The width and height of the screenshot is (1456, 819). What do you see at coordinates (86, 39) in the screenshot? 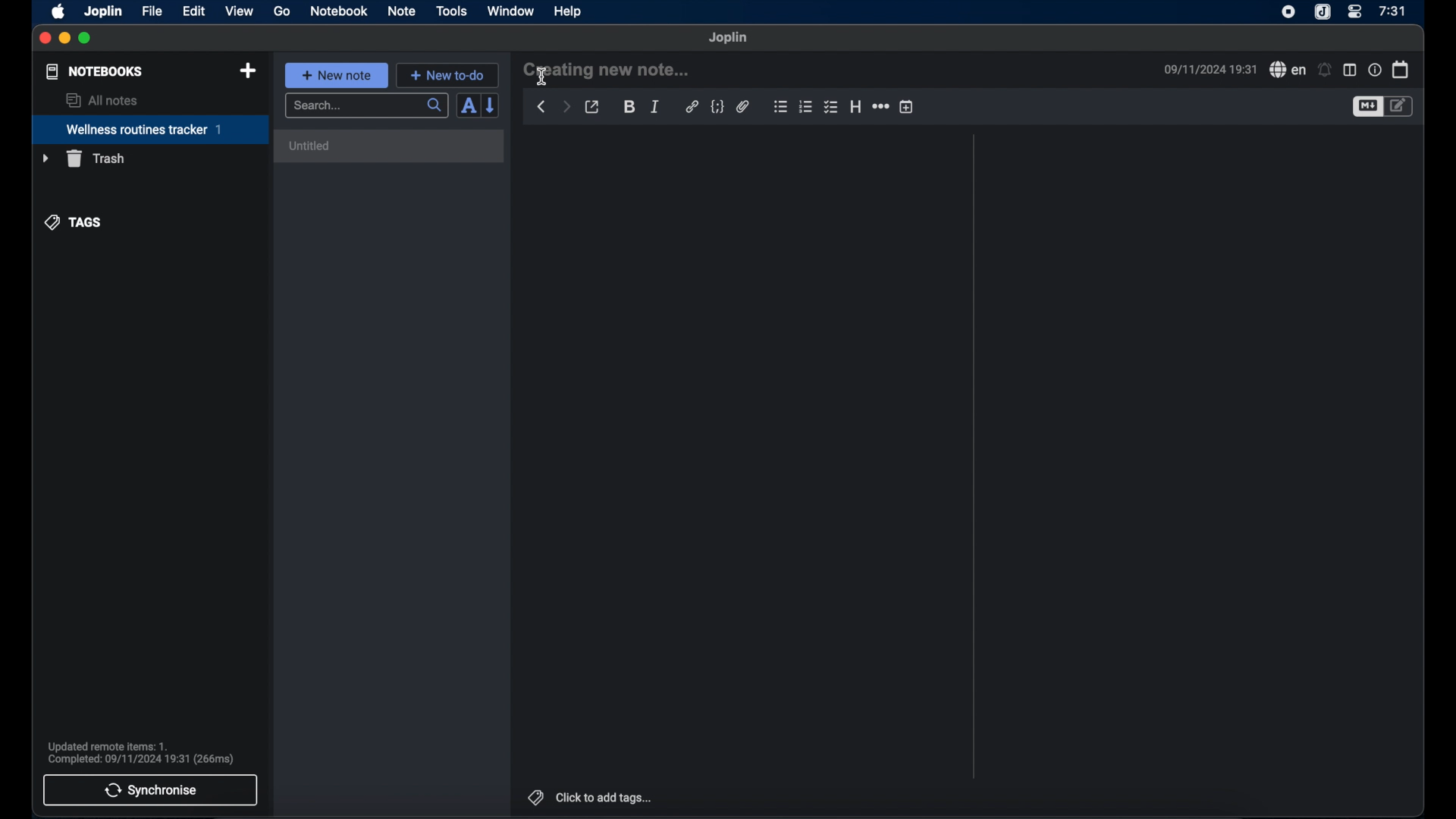
I see `maximize` at bounding box center [86, 39].